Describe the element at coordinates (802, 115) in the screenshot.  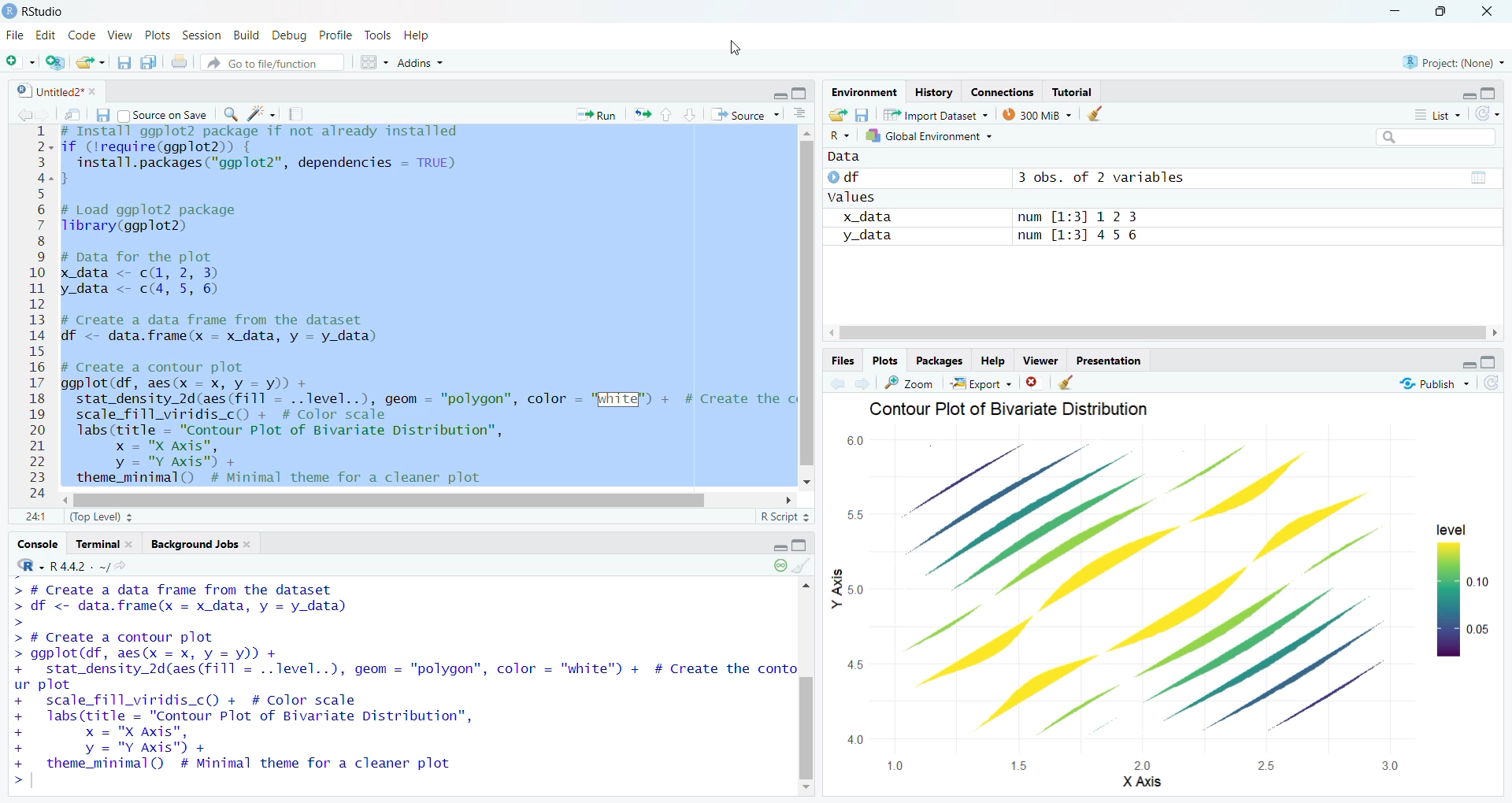
I see `show document outline` at that location.